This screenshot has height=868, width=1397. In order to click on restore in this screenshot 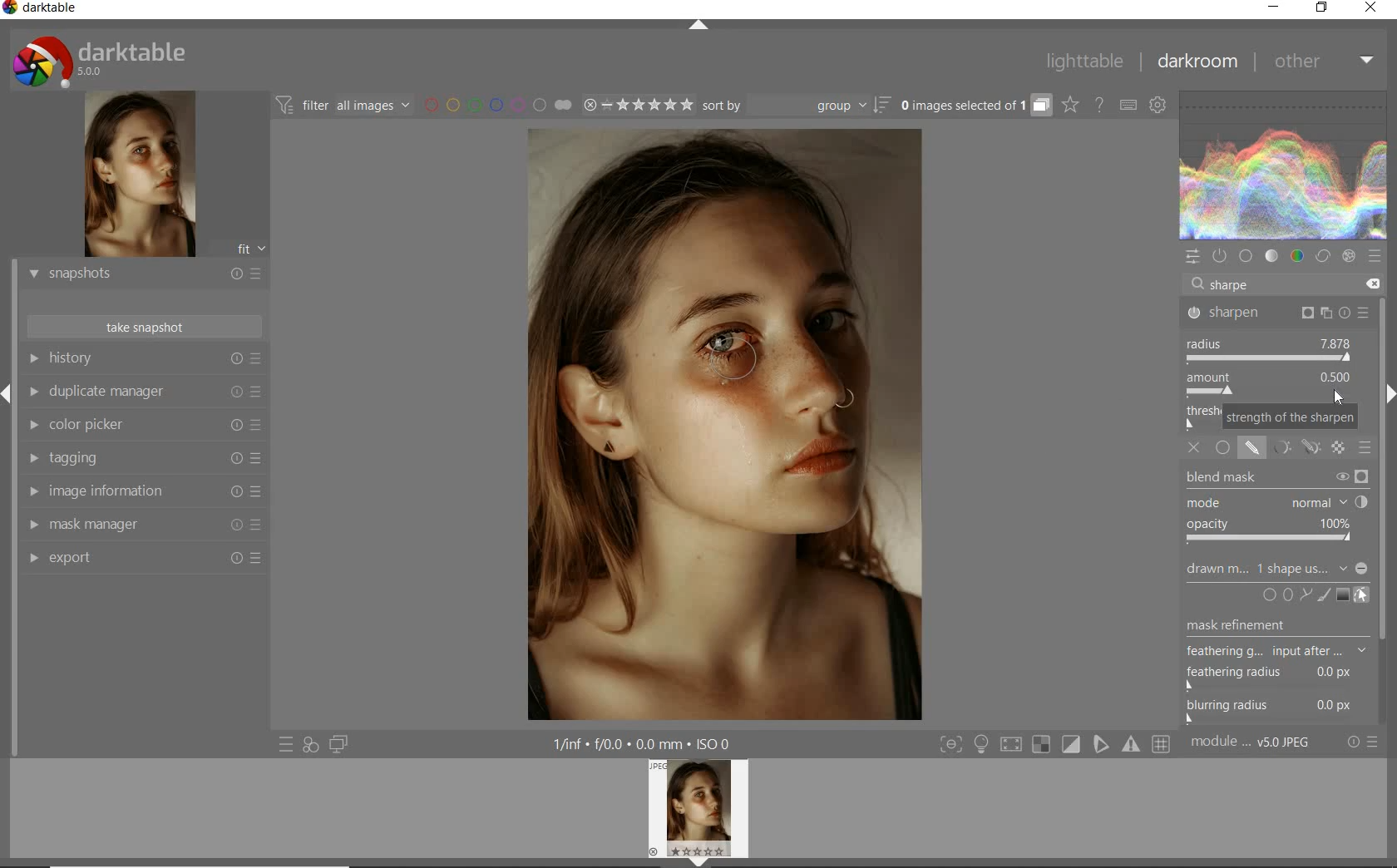, I will do `click(1322, 7)`.